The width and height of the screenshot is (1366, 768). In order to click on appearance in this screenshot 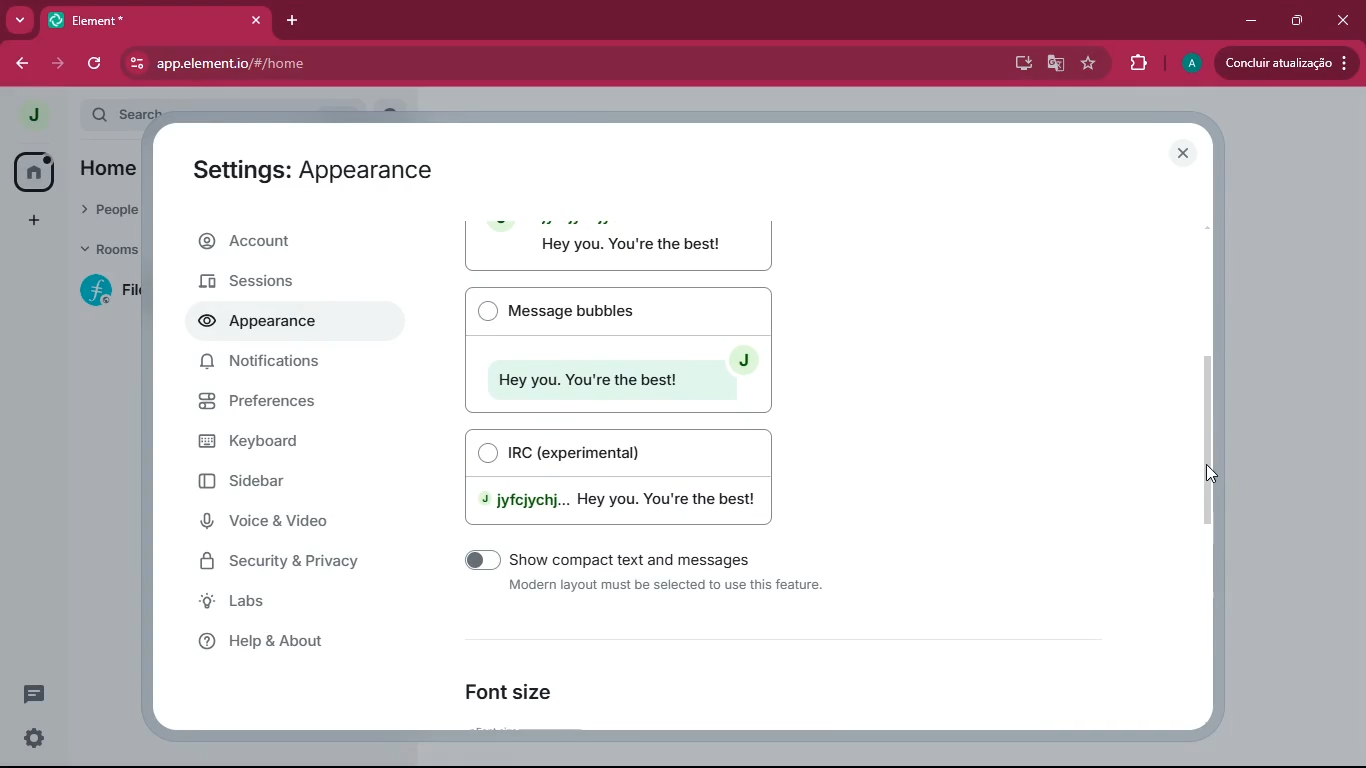, I will do `click(269, 323)`.